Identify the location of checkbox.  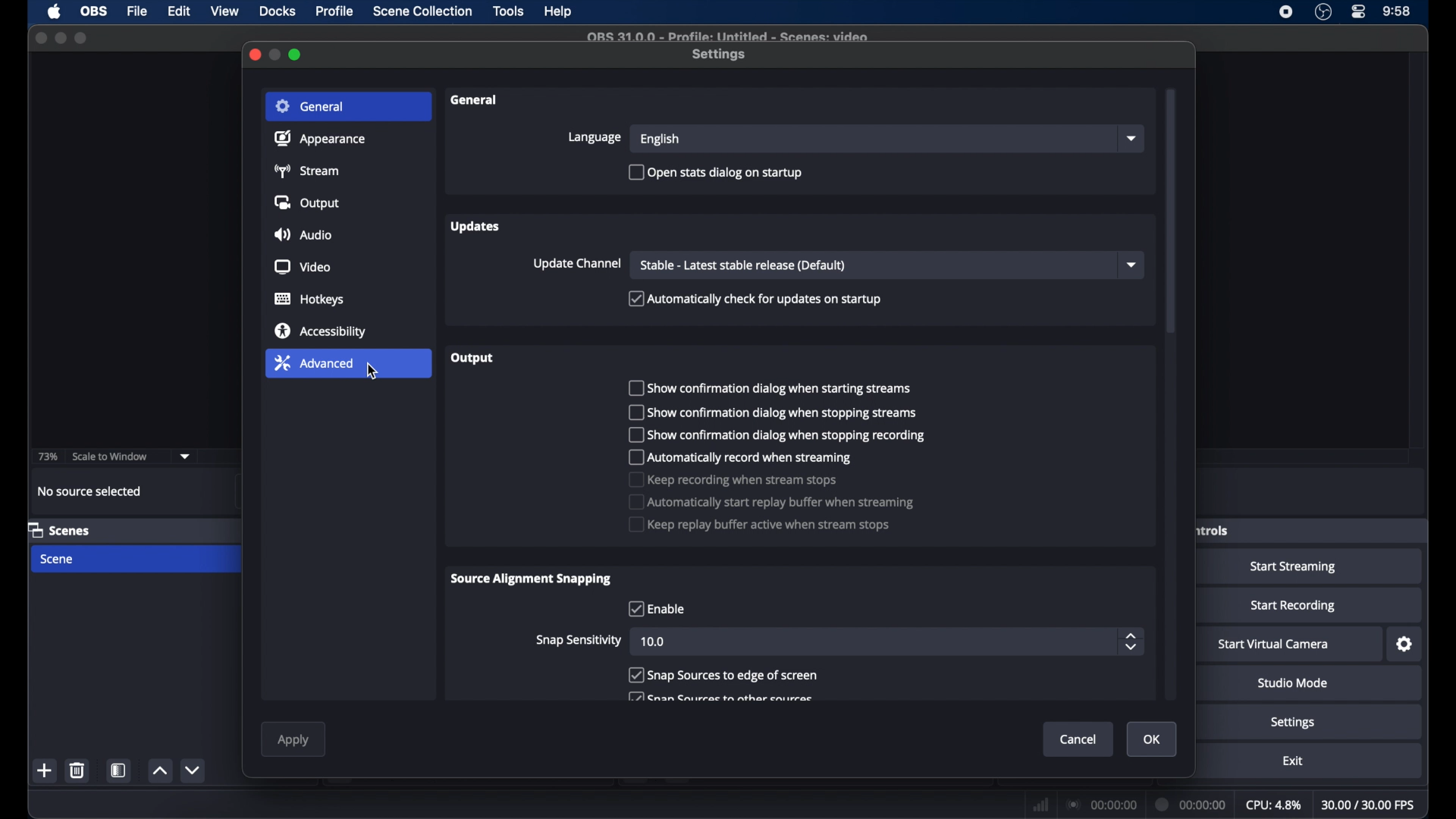
(716, 174).